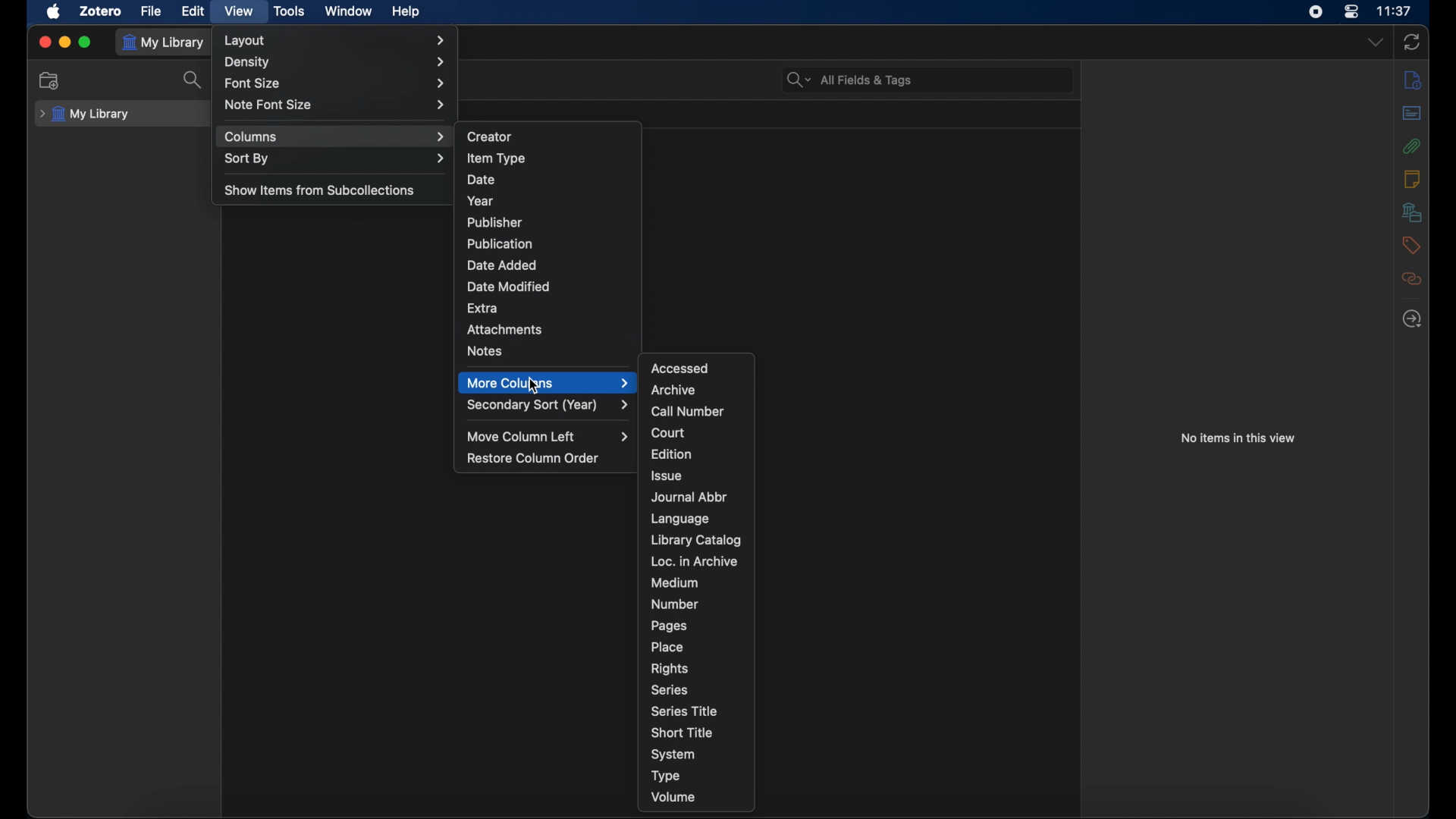 This screenshot has width=1456, height=819. Describe the element at coordinates (334, 82) in the screenshot. I see `font size` at that location.